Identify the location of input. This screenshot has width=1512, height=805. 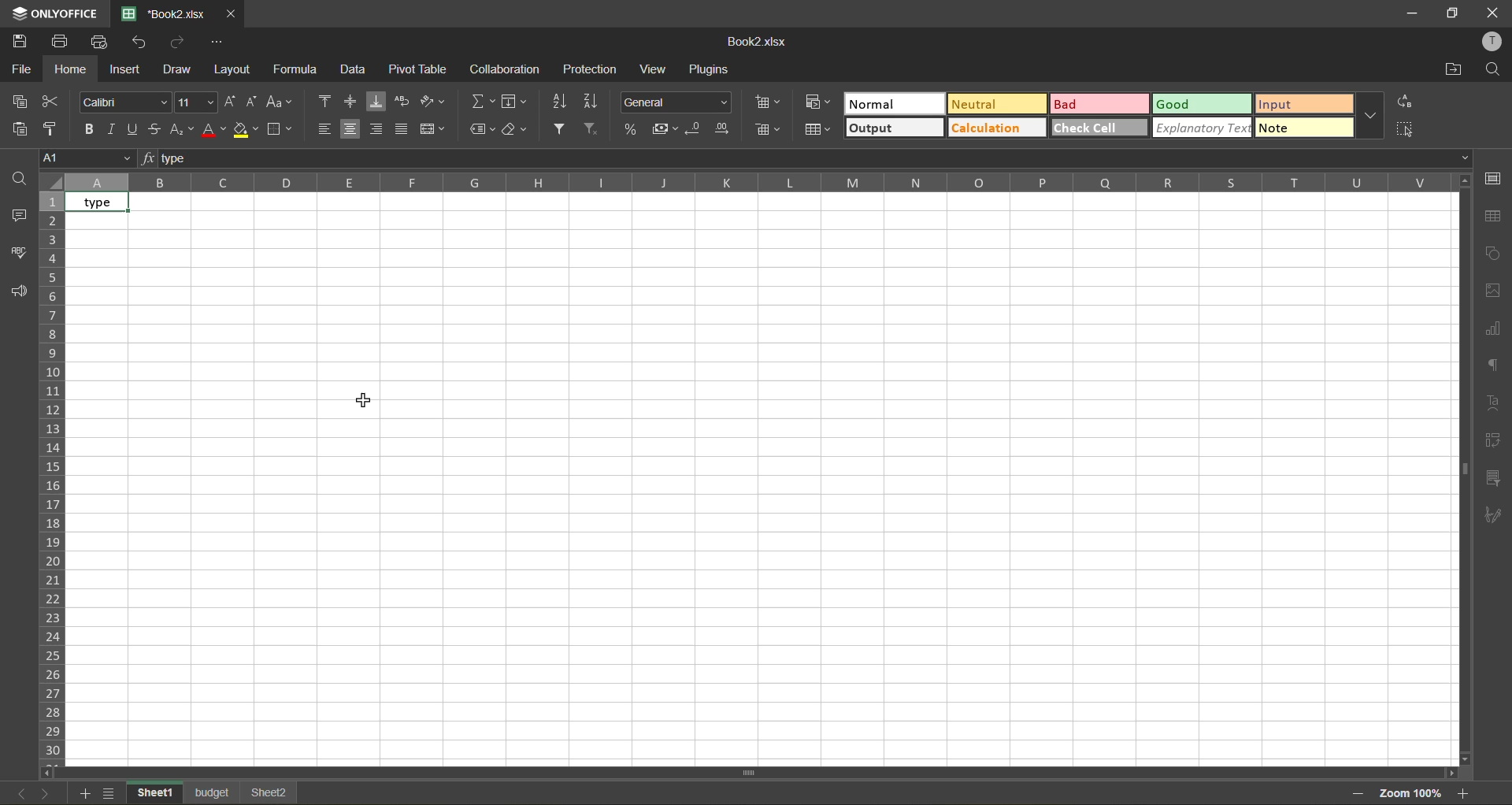
(1299, 105).